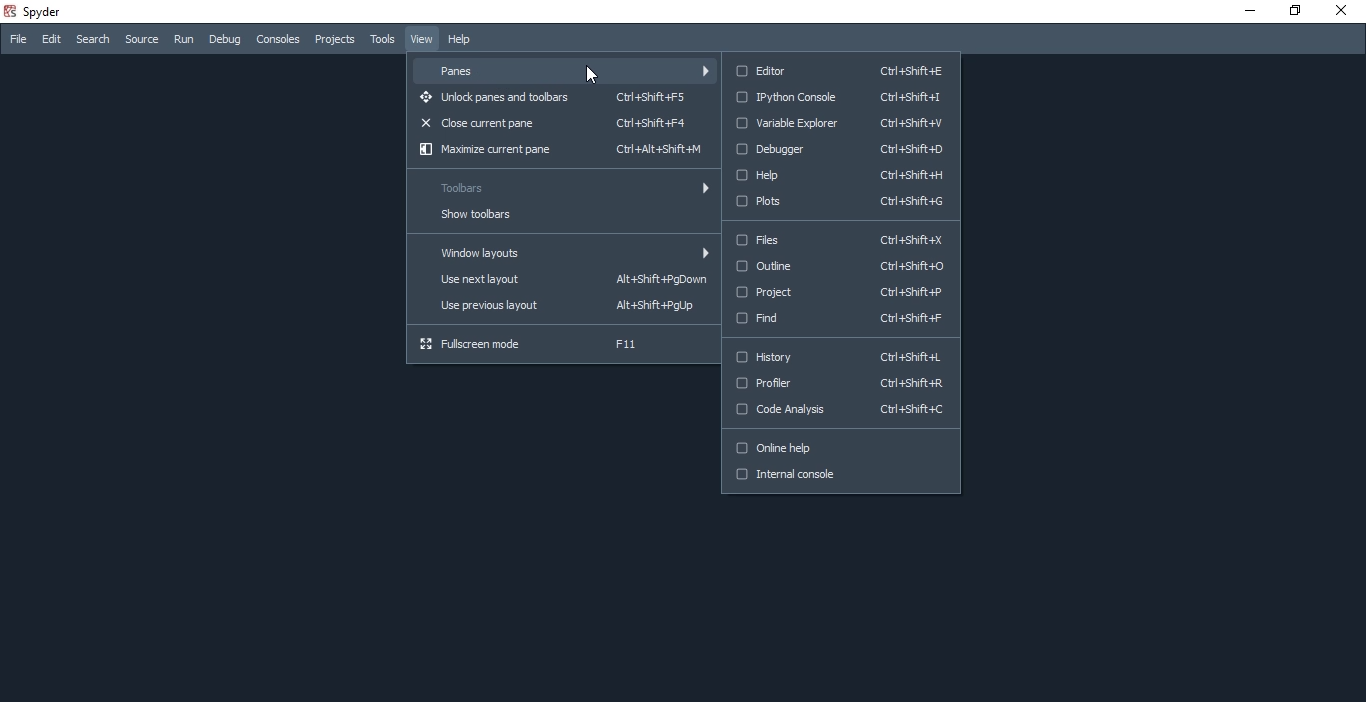  Describe the element at coordinates (591, 74) in the screenshot. I see `Cursor` at that location.